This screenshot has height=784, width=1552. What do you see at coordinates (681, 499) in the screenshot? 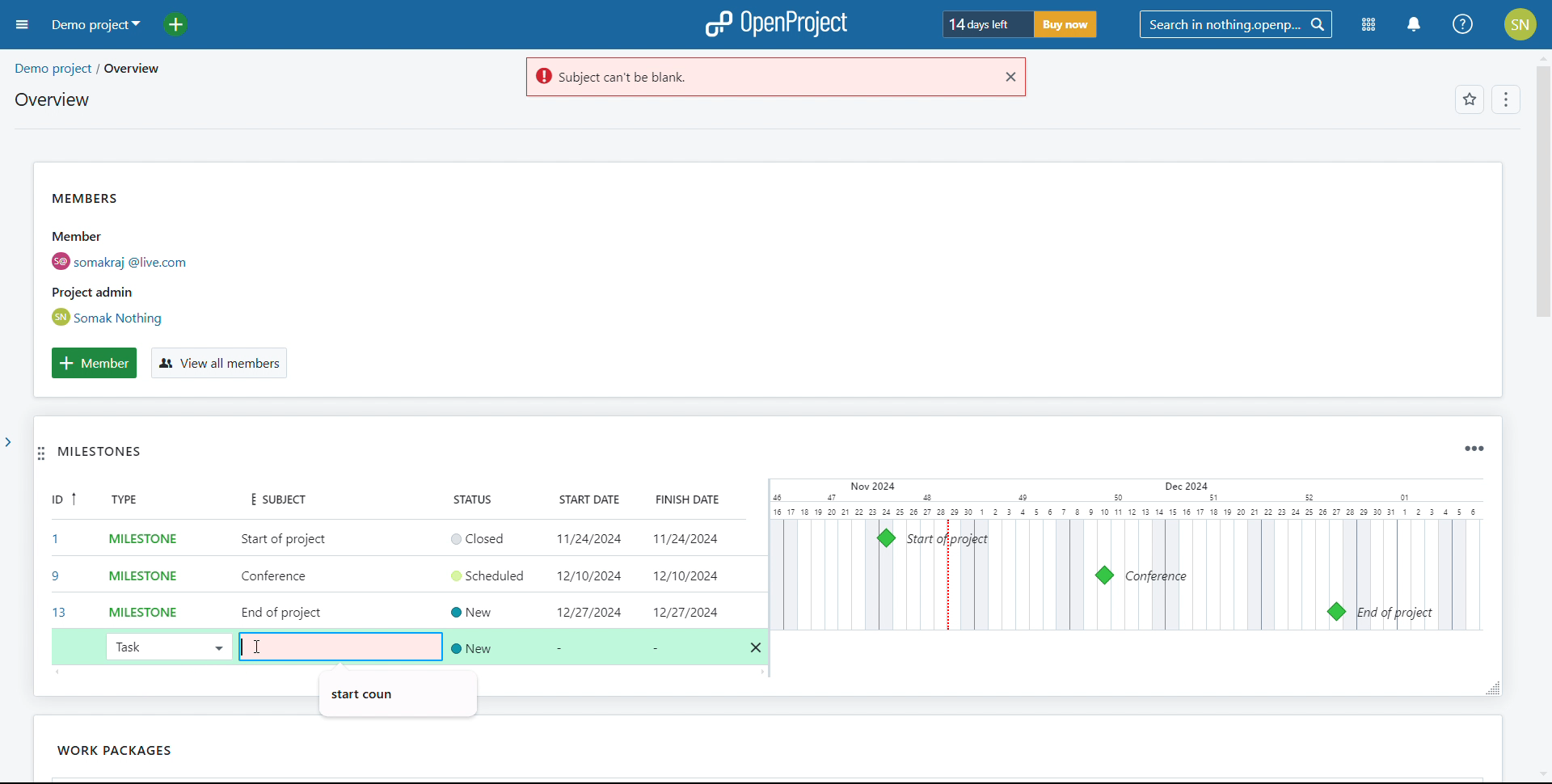
I see `finish date` at bounding box center [681, 499].